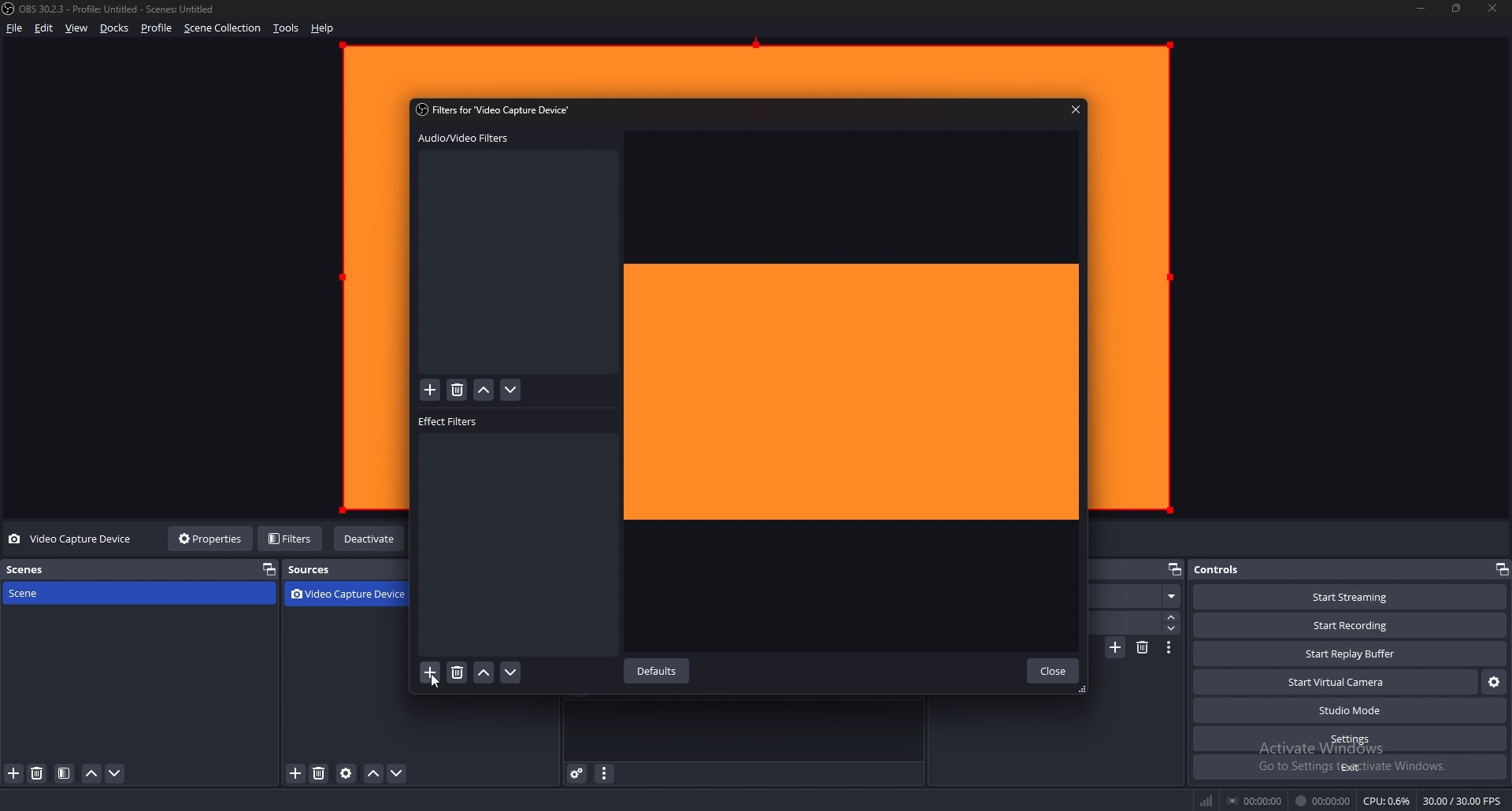 The image size is (1512, 811). I want to click on edit, so click(44, 28).